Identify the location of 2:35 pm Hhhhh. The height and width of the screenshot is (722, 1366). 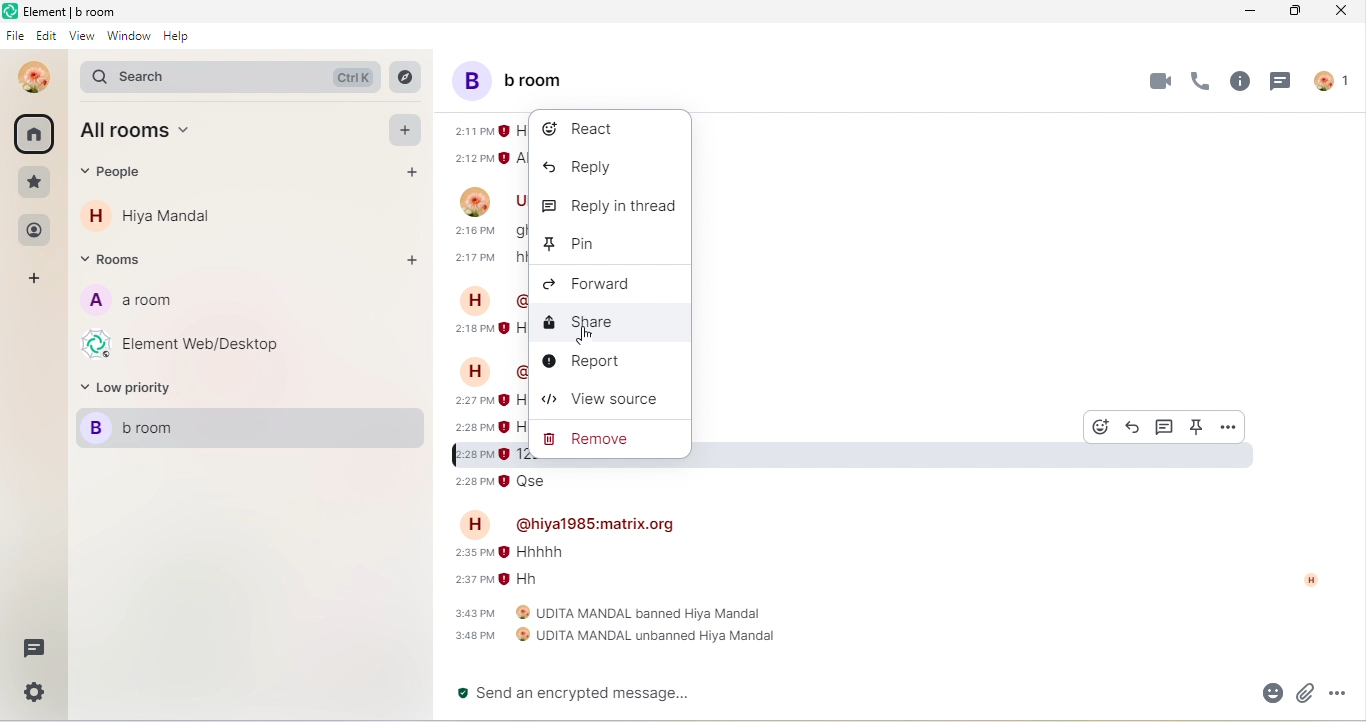
(510, 552).